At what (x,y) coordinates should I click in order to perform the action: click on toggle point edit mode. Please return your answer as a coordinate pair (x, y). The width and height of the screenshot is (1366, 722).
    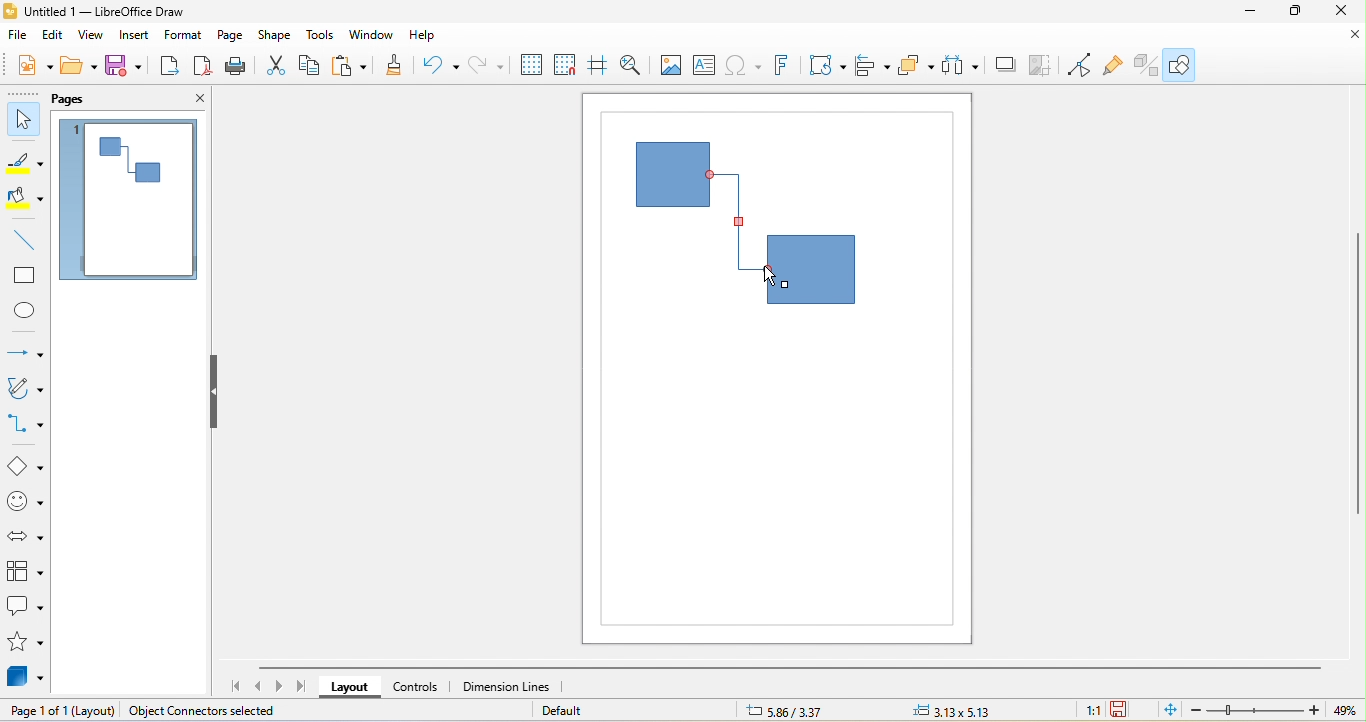
    Looking at the image, I should click on (1084, 64).